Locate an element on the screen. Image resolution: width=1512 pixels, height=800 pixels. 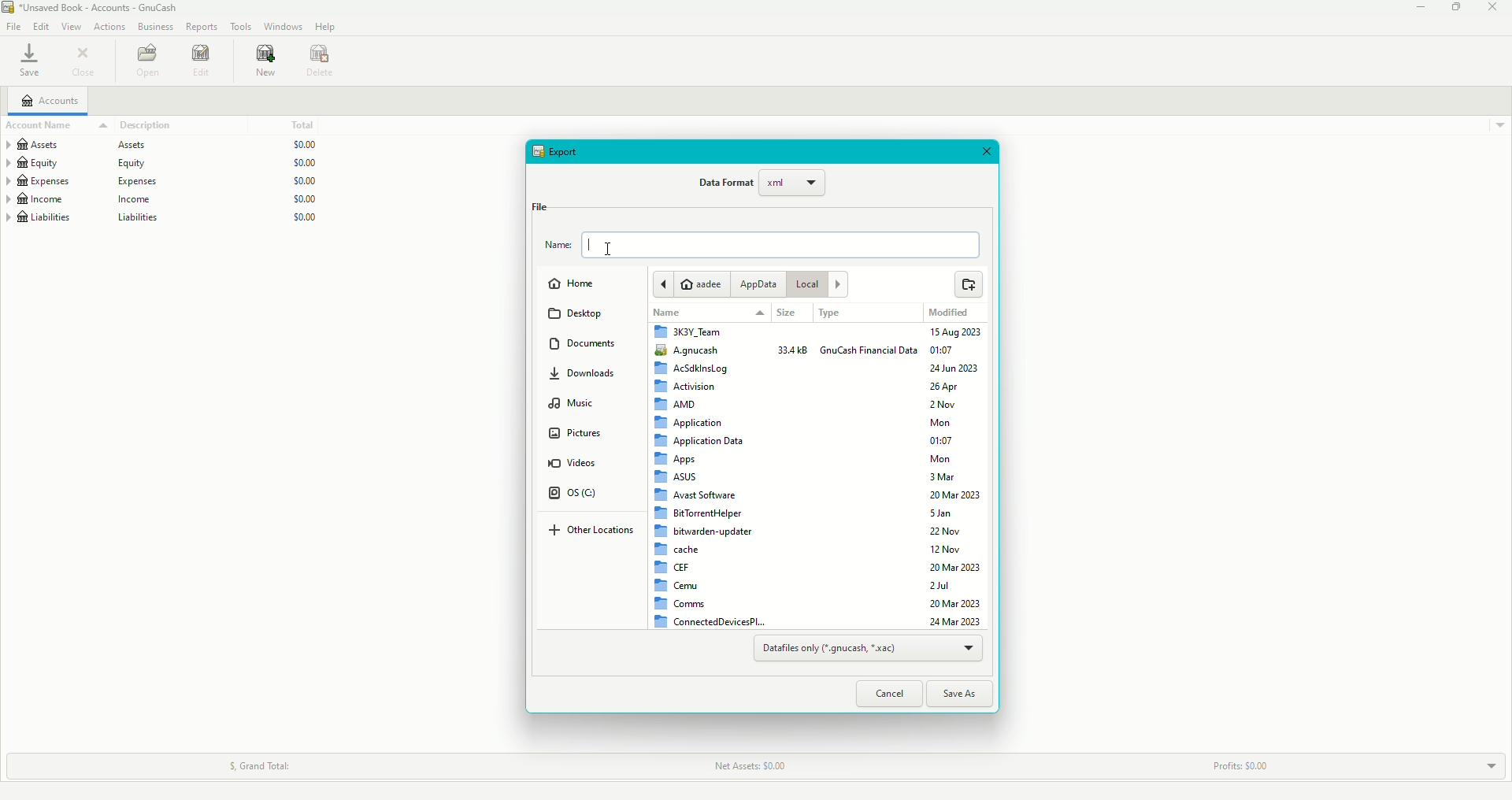
File is located at coordinates (13, 28).